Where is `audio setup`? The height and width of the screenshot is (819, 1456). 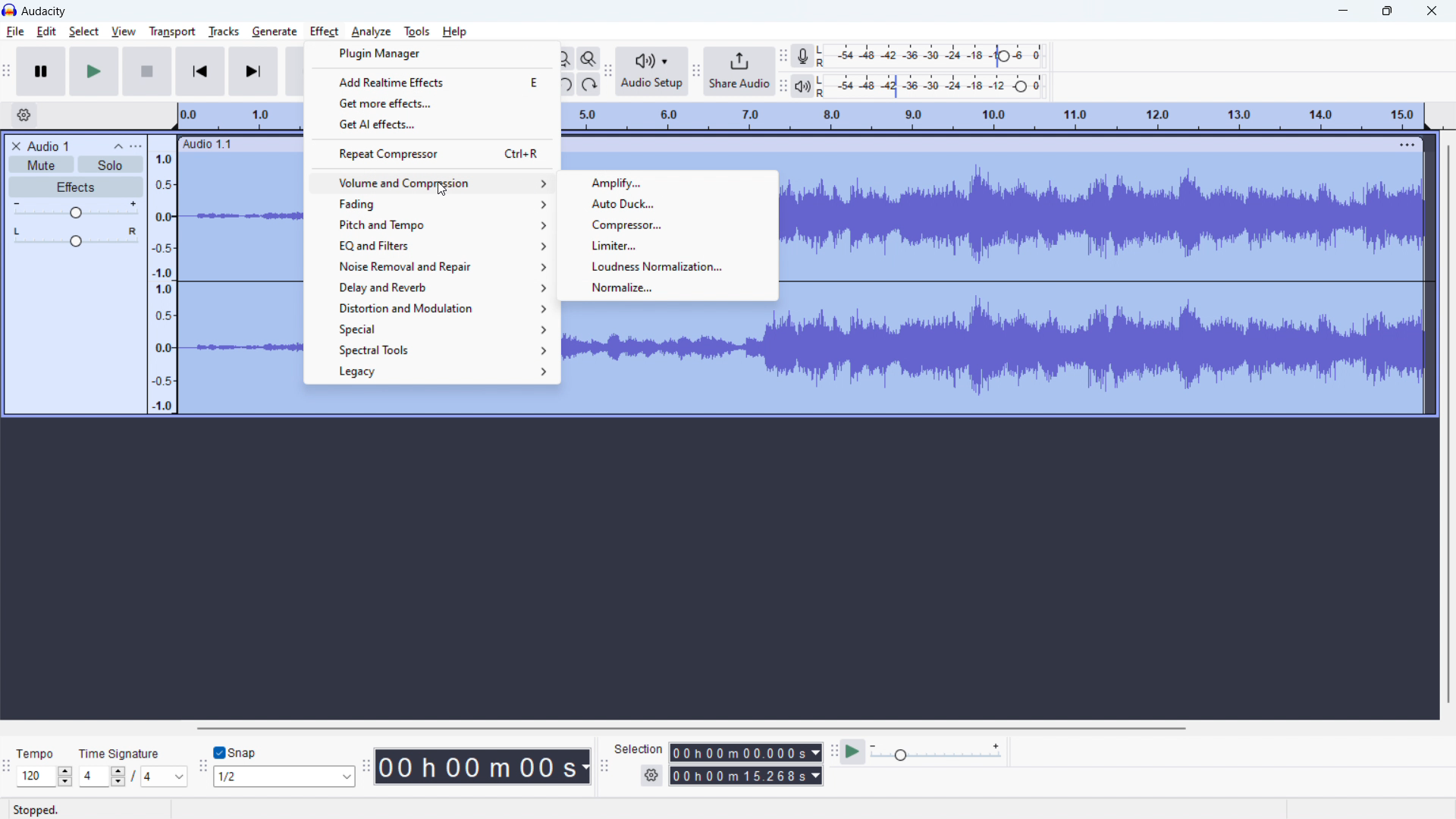
audio setup is located at coordinates (651, 71).